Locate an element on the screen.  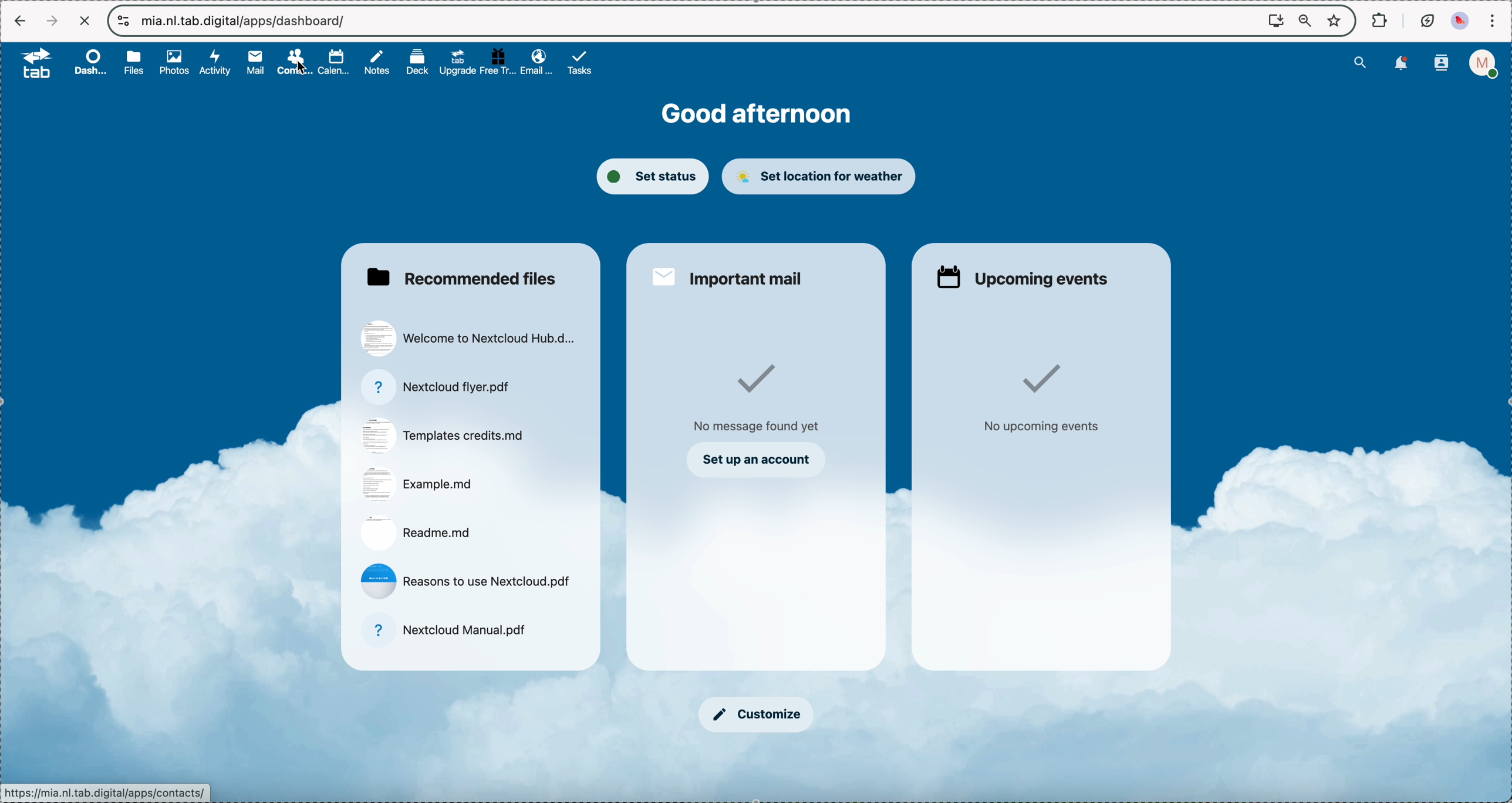
upgrade is located at coordinates (457, 62).